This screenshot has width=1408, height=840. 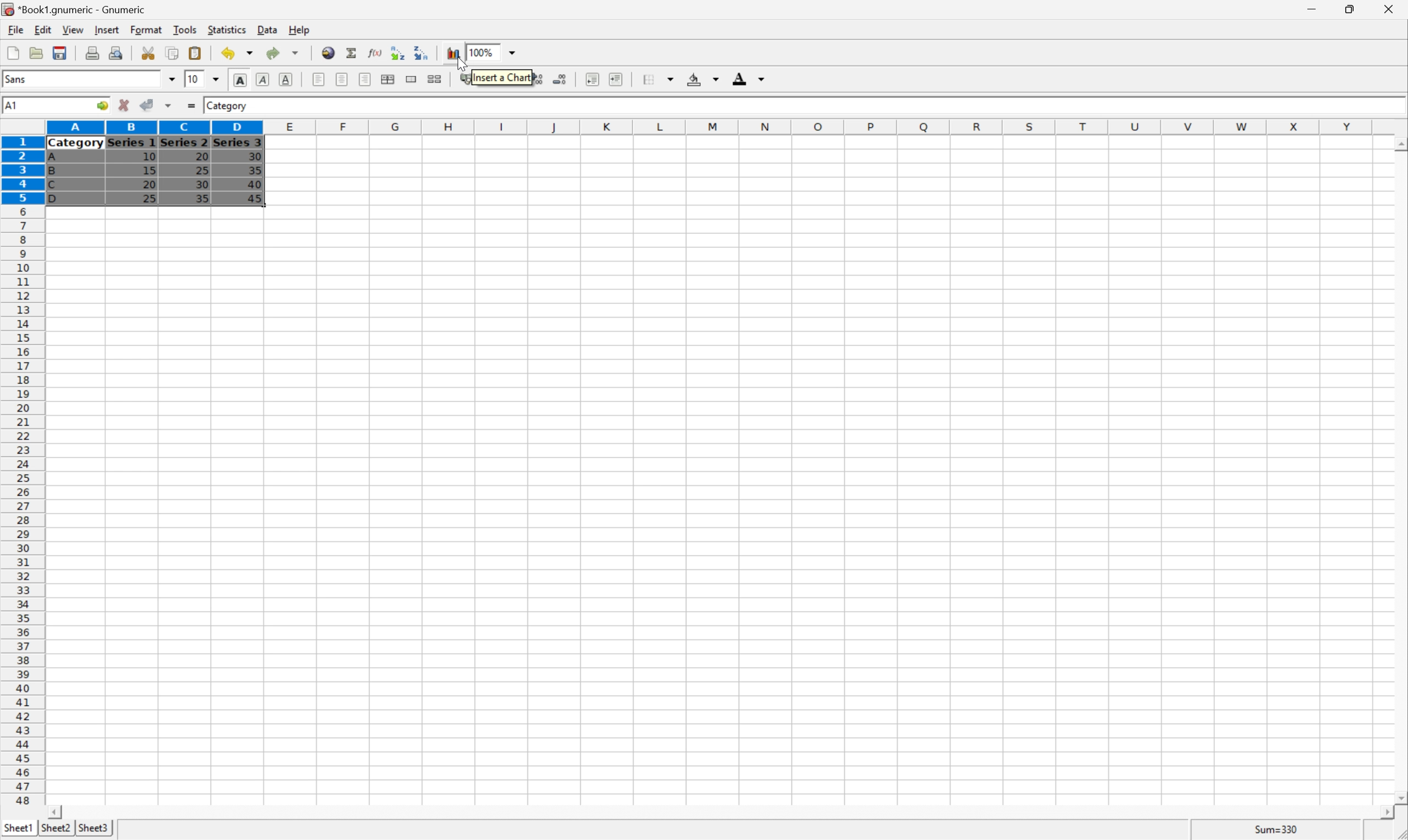 I want to click on Copy selection, so click(x=173, y=52).